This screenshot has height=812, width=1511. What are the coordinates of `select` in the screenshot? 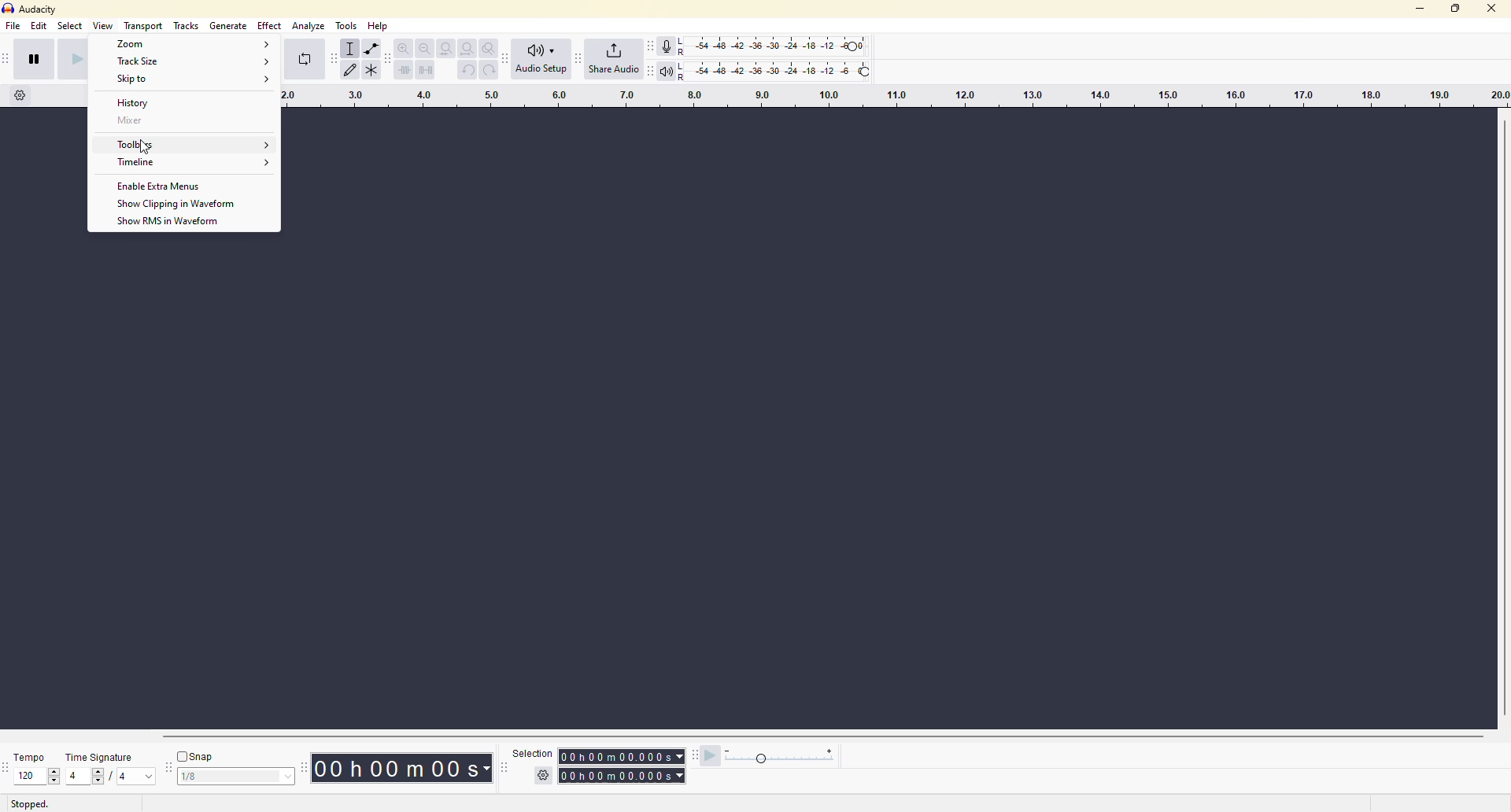 It's located at (72, 26).